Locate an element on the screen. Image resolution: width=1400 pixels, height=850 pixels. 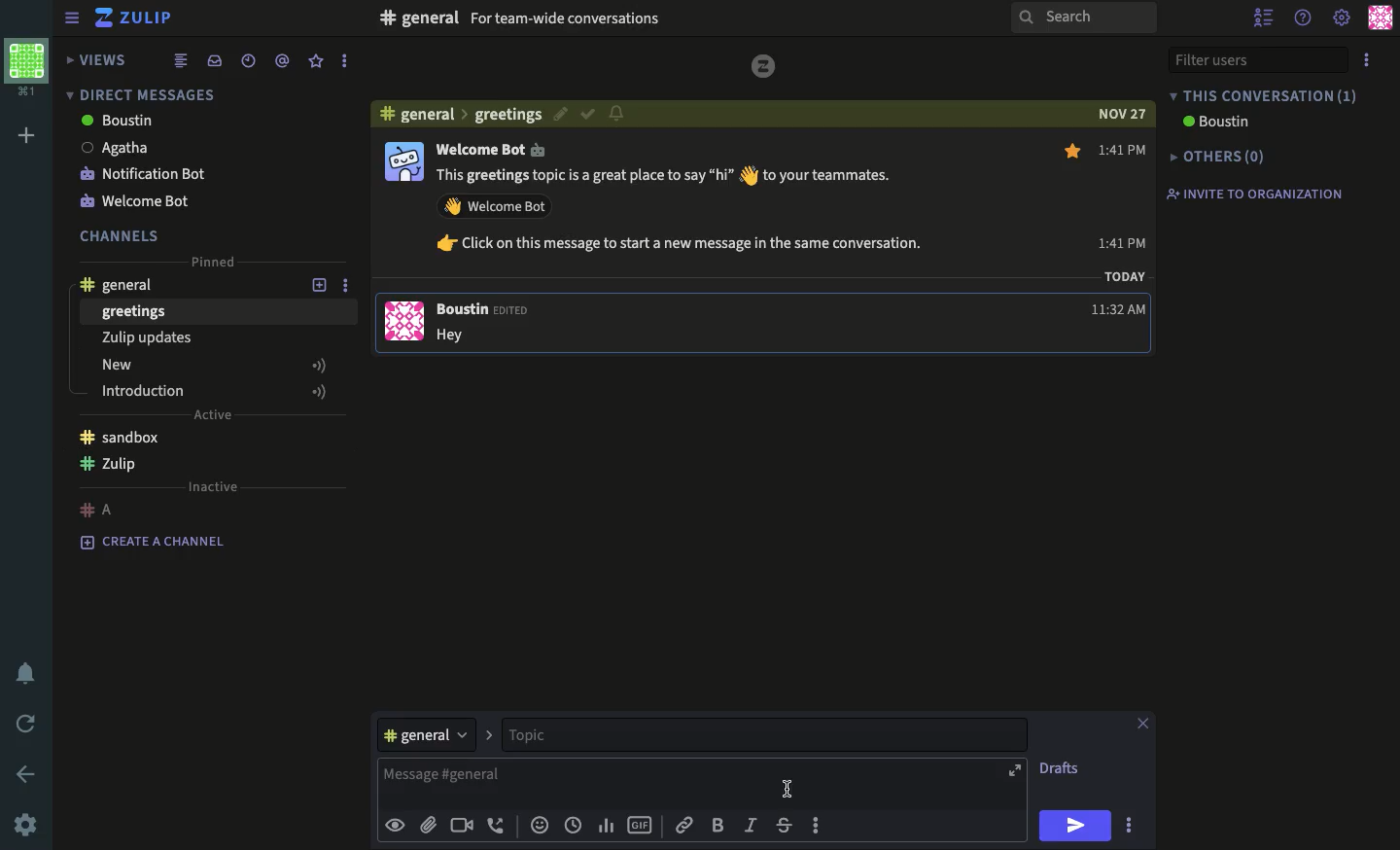
emoji is located at coordinates (540, 825).